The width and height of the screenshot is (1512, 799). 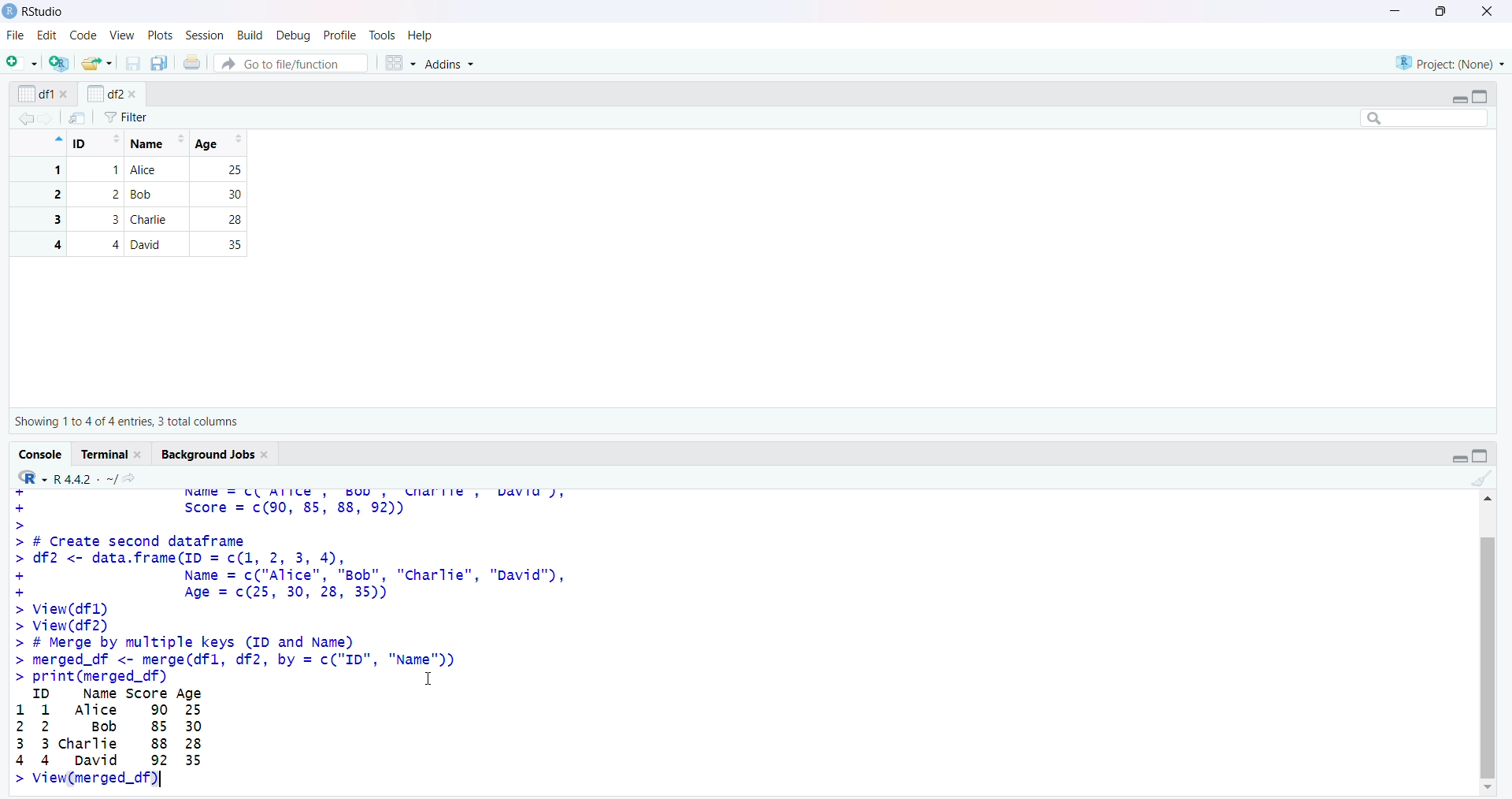 I want to click on df2, so click(x=104, y=93).